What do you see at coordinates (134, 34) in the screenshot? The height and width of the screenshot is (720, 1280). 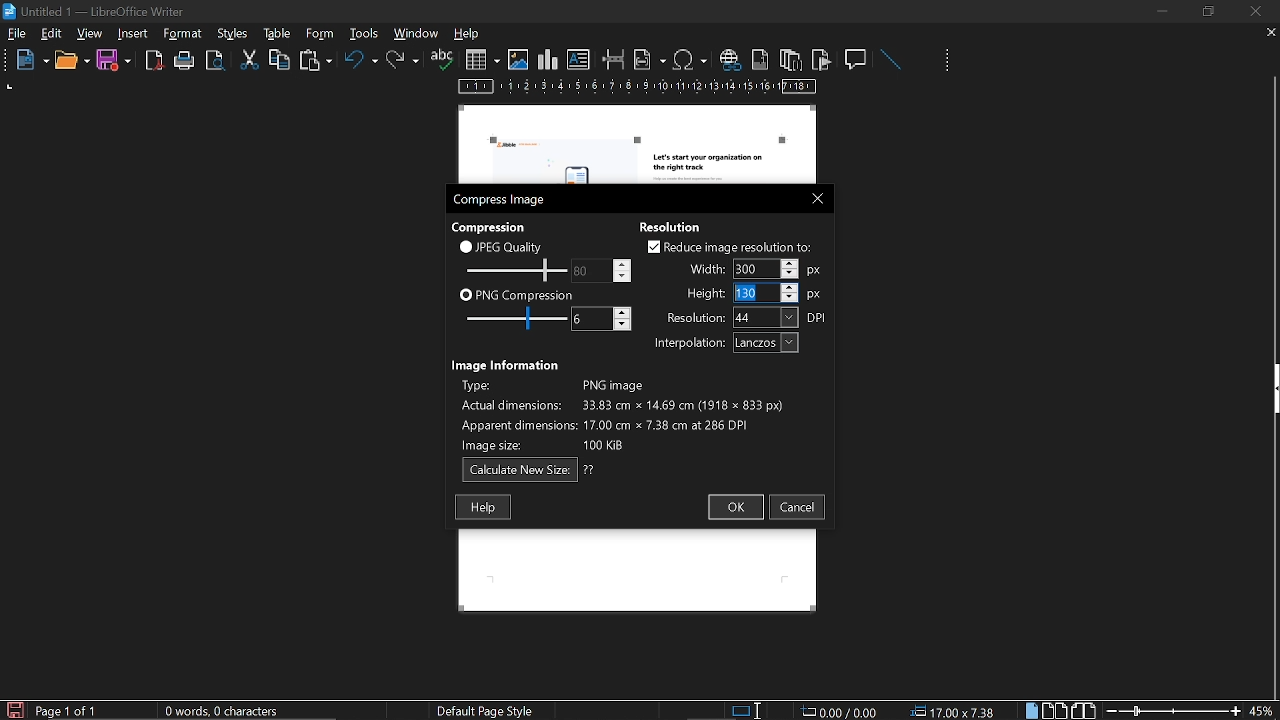 I see `insert` at bounding box center [134, 34].